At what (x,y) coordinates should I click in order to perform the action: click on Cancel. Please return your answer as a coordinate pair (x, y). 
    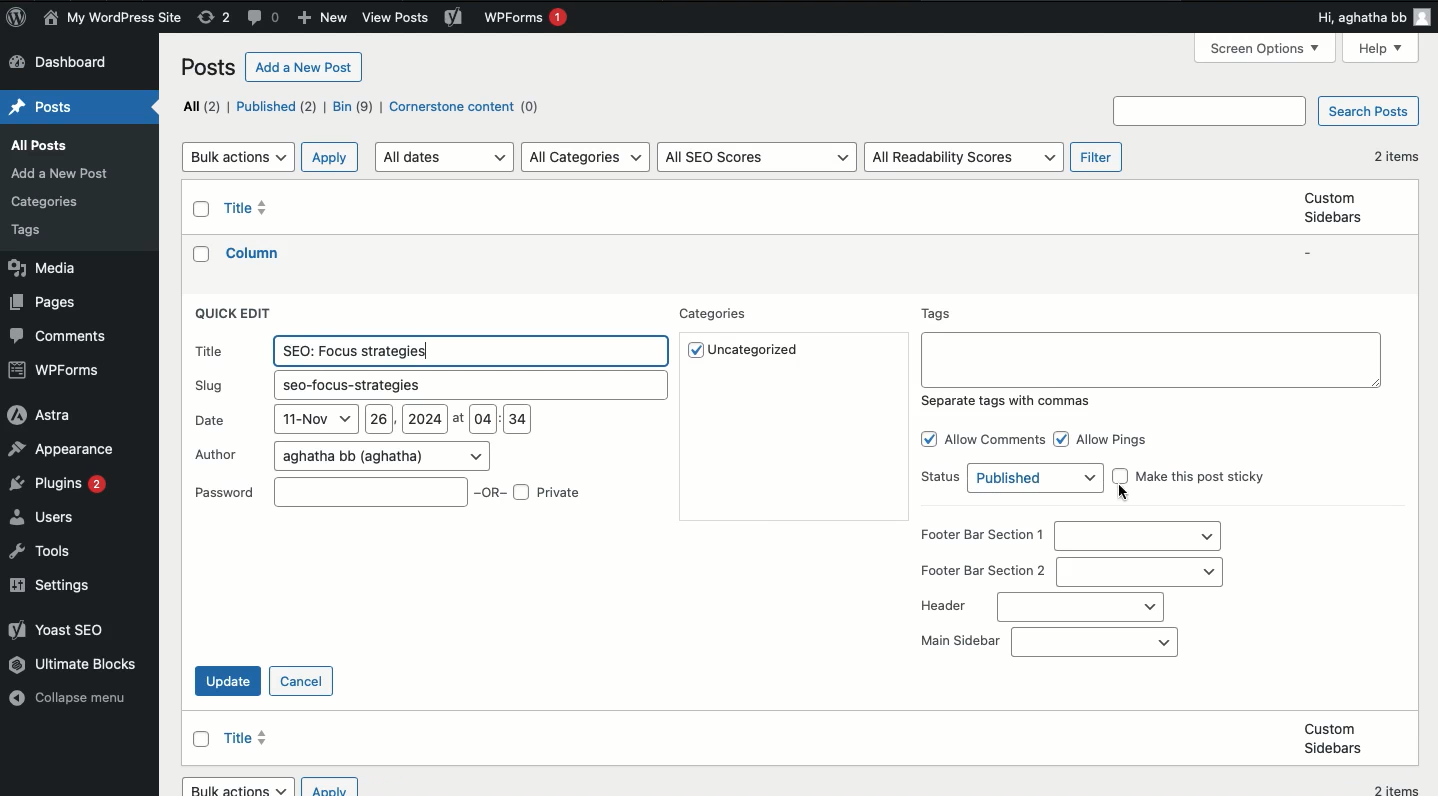
    Looking at the image, I should click on (300, 681).